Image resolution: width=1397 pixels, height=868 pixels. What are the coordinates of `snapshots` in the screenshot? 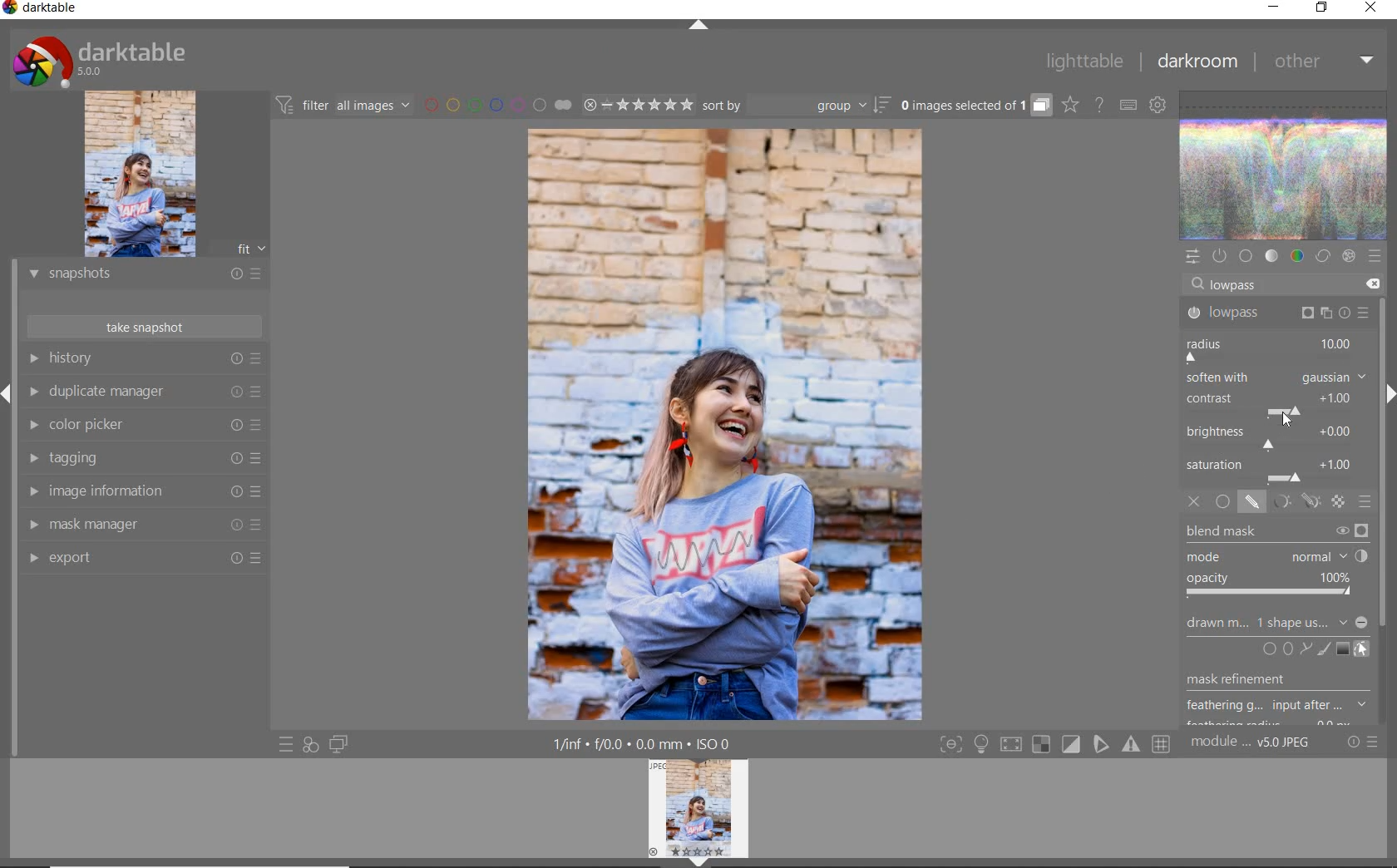 It's located at (144, 277).